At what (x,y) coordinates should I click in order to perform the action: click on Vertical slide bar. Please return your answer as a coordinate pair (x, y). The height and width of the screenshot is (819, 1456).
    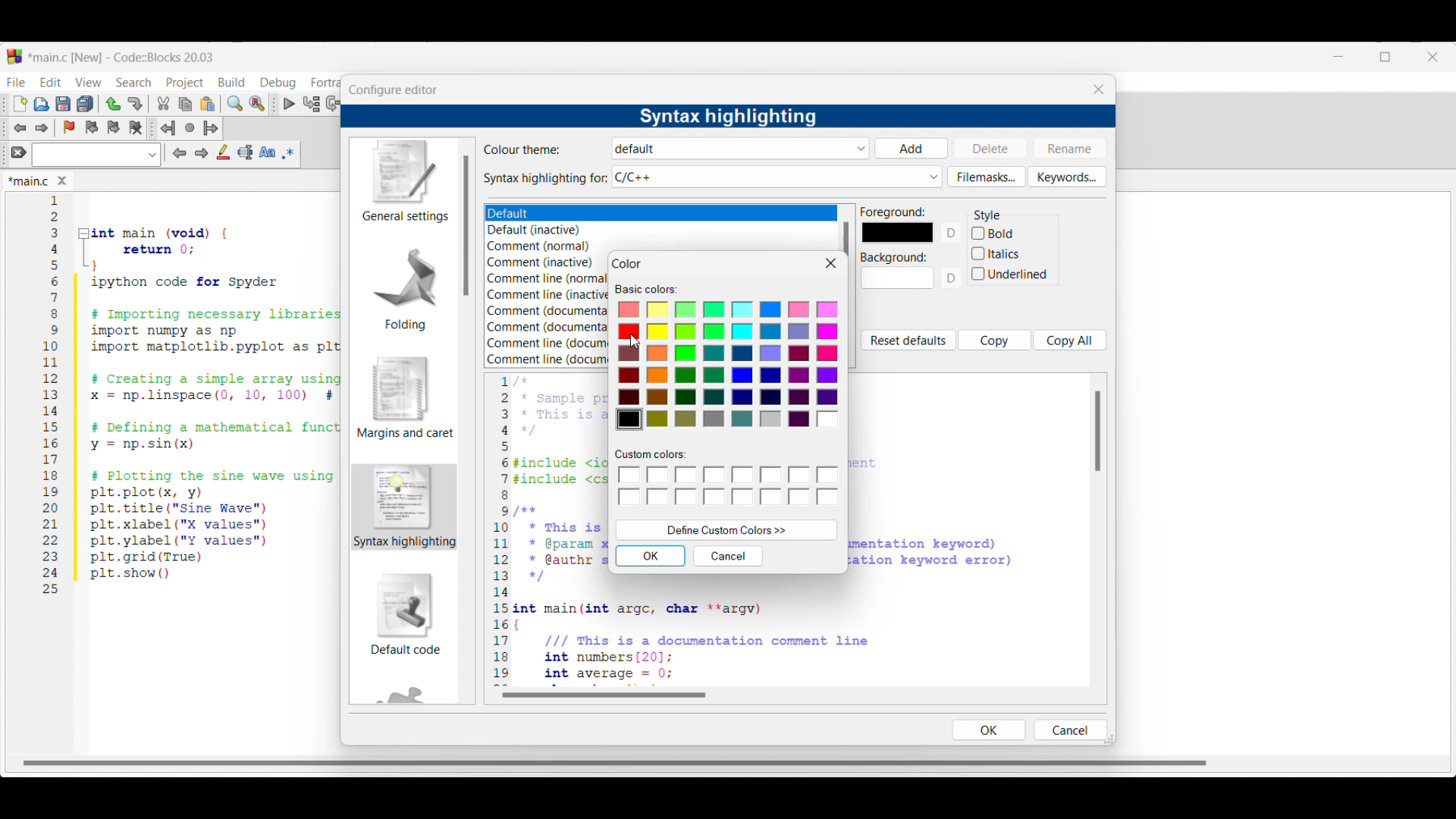
    Looking at the image, I should click on (1098, 431).